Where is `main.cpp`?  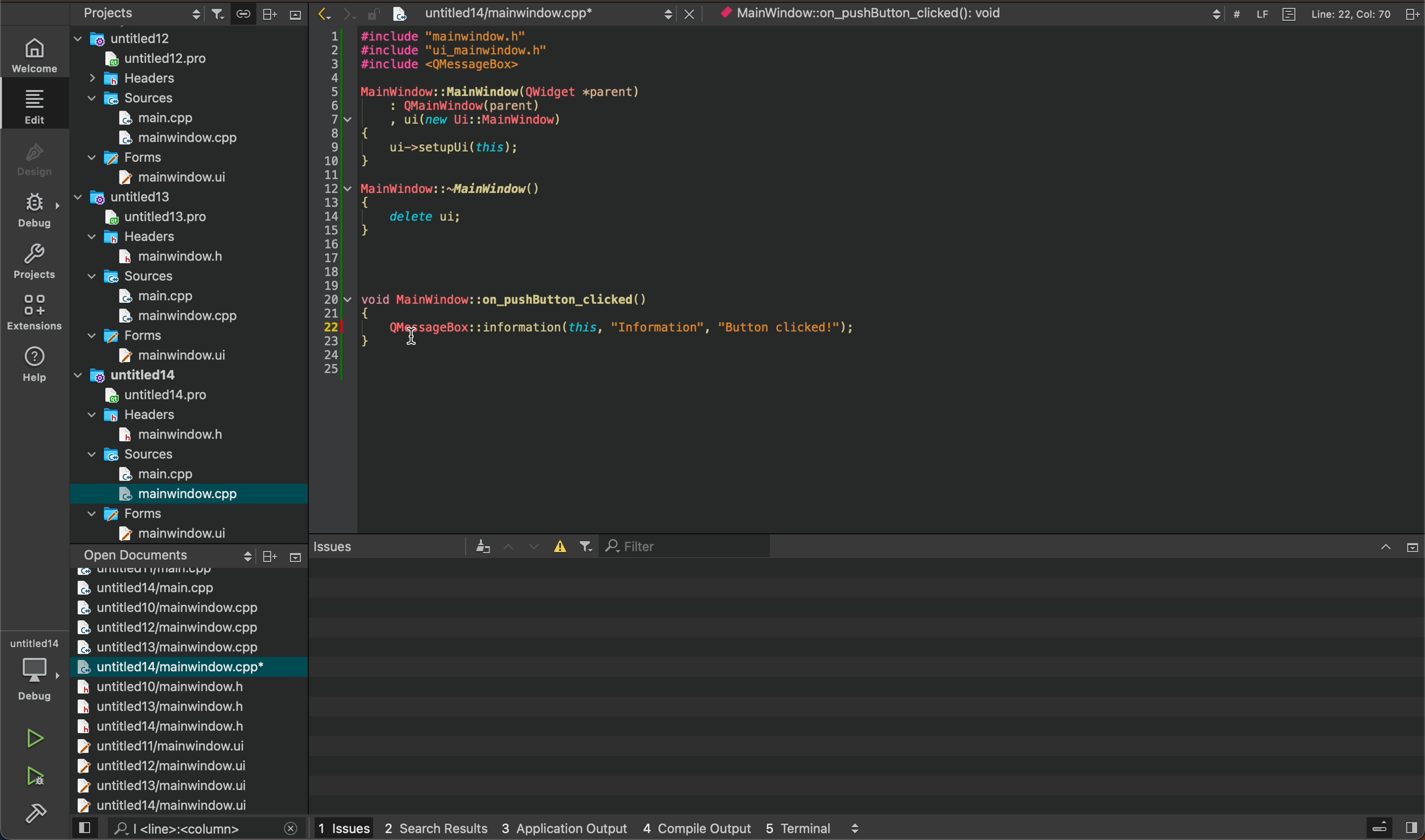
main.cpp is located at coordinates (147, 297).